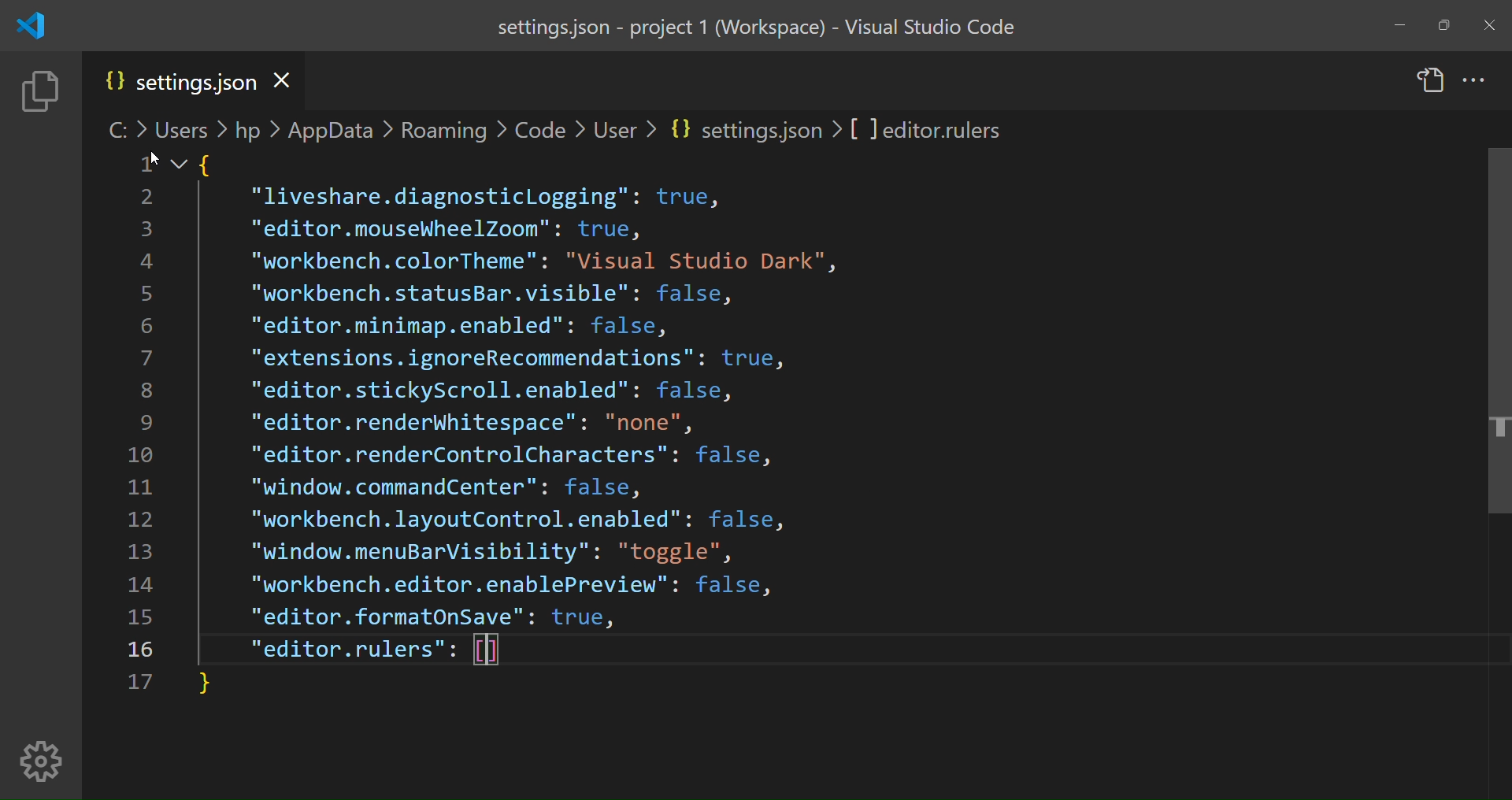 Image resolution: width=1512 pixels, height=800 pixels. What do you see at coordinates (1401, 24) in the screenshot?
I see `minimize` at bounding box center [1401, 24].